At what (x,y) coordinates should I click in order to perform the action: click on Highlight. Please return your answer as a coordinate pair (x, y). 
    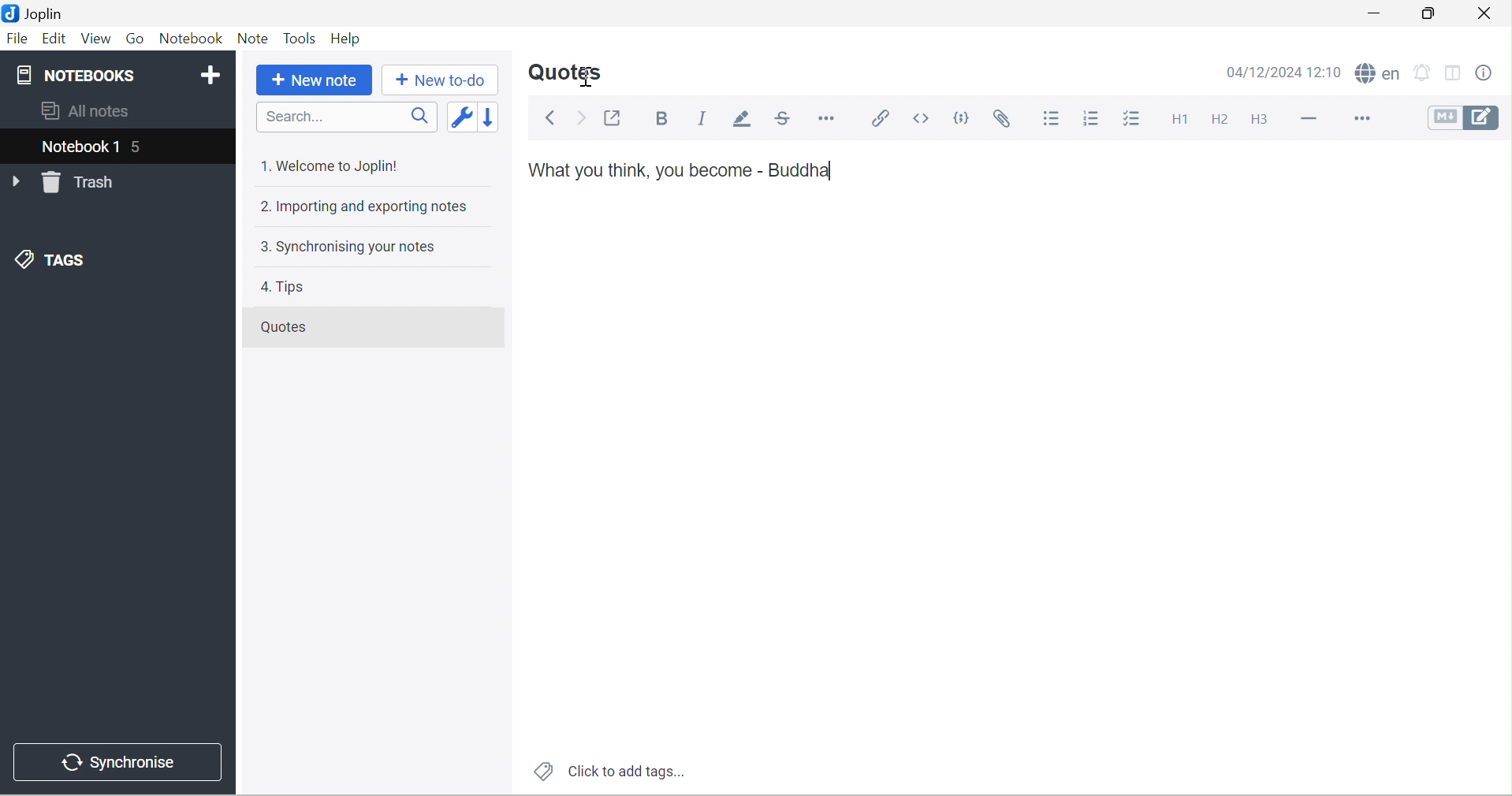
    Looking at the image, I should click on (743, 121).